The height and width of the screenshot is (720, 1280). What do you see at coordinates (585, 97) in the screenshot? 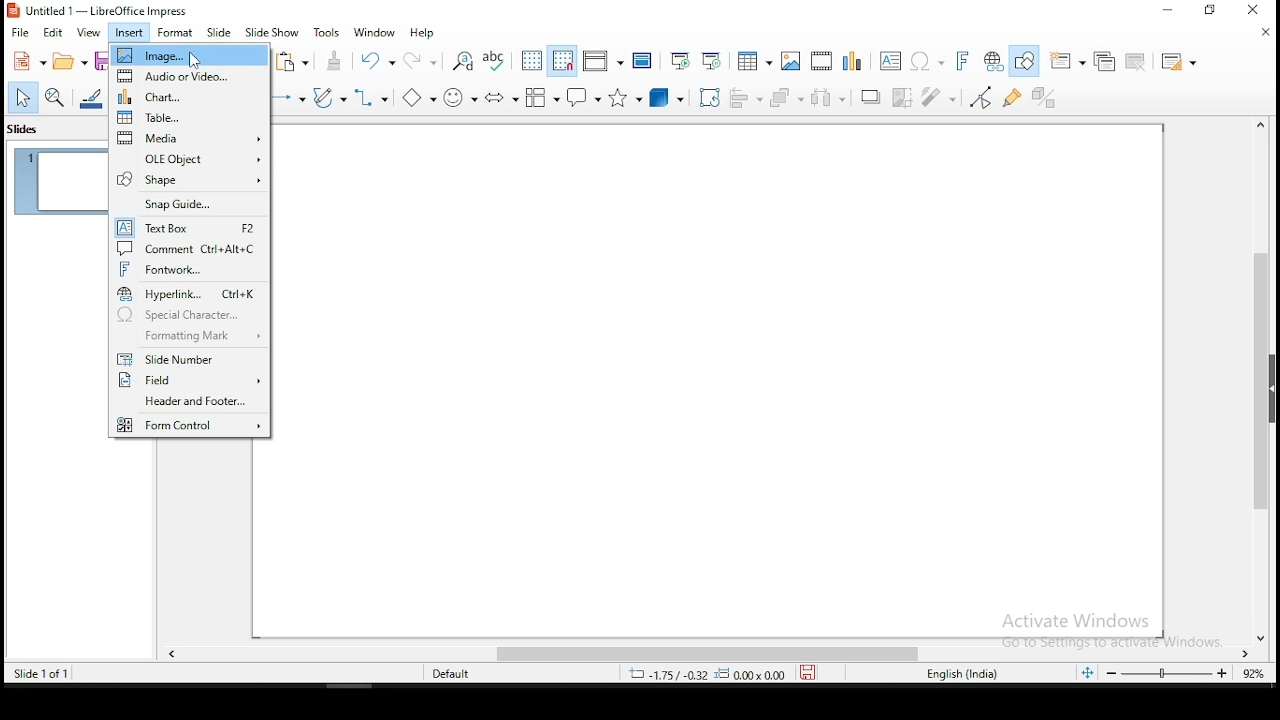
I see `callout shapes` at bounding box center [585, 97].